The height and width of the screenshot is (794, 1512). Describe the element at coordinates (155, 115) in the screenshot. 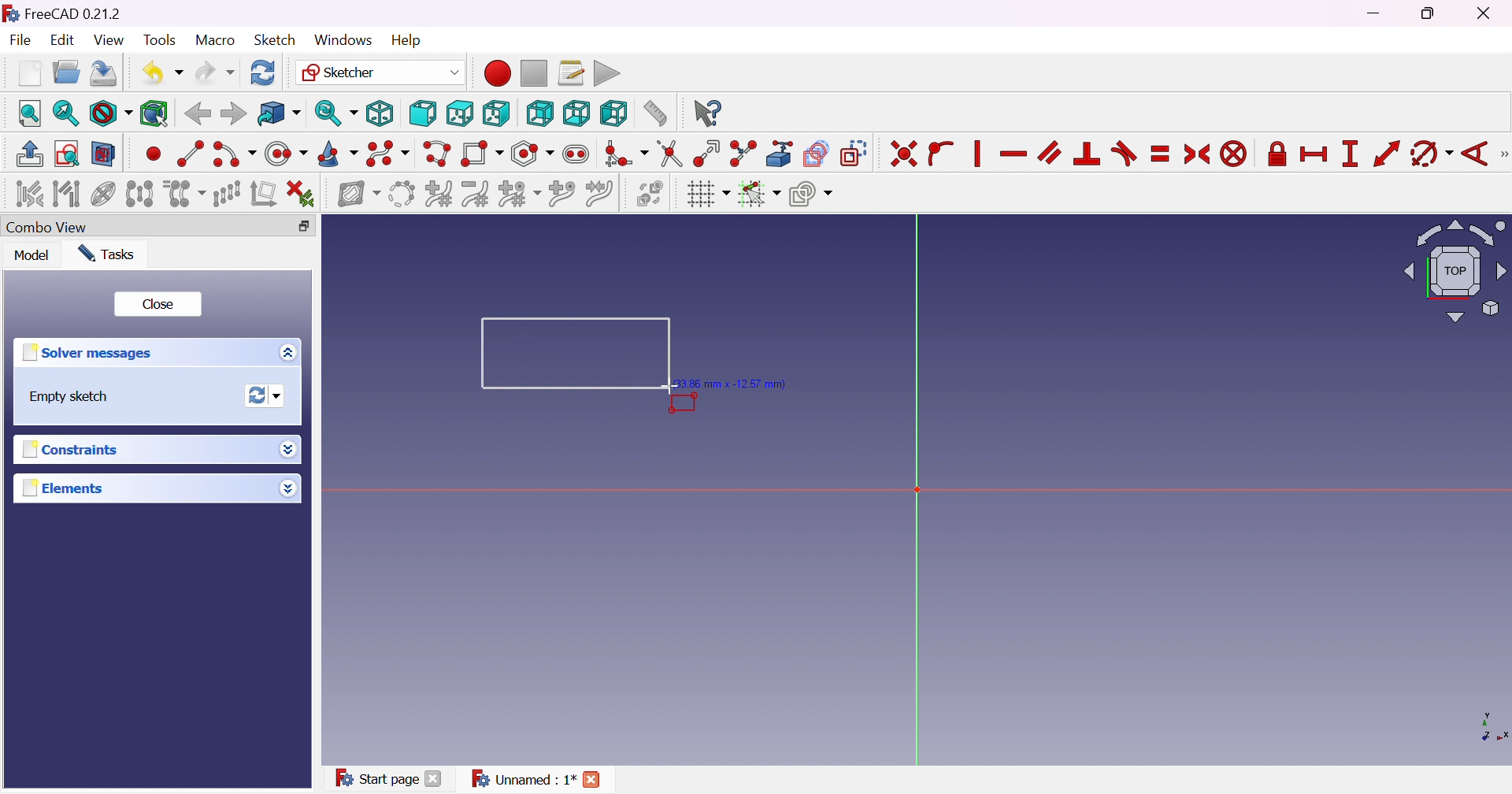

I see `Bounding box` at that location.